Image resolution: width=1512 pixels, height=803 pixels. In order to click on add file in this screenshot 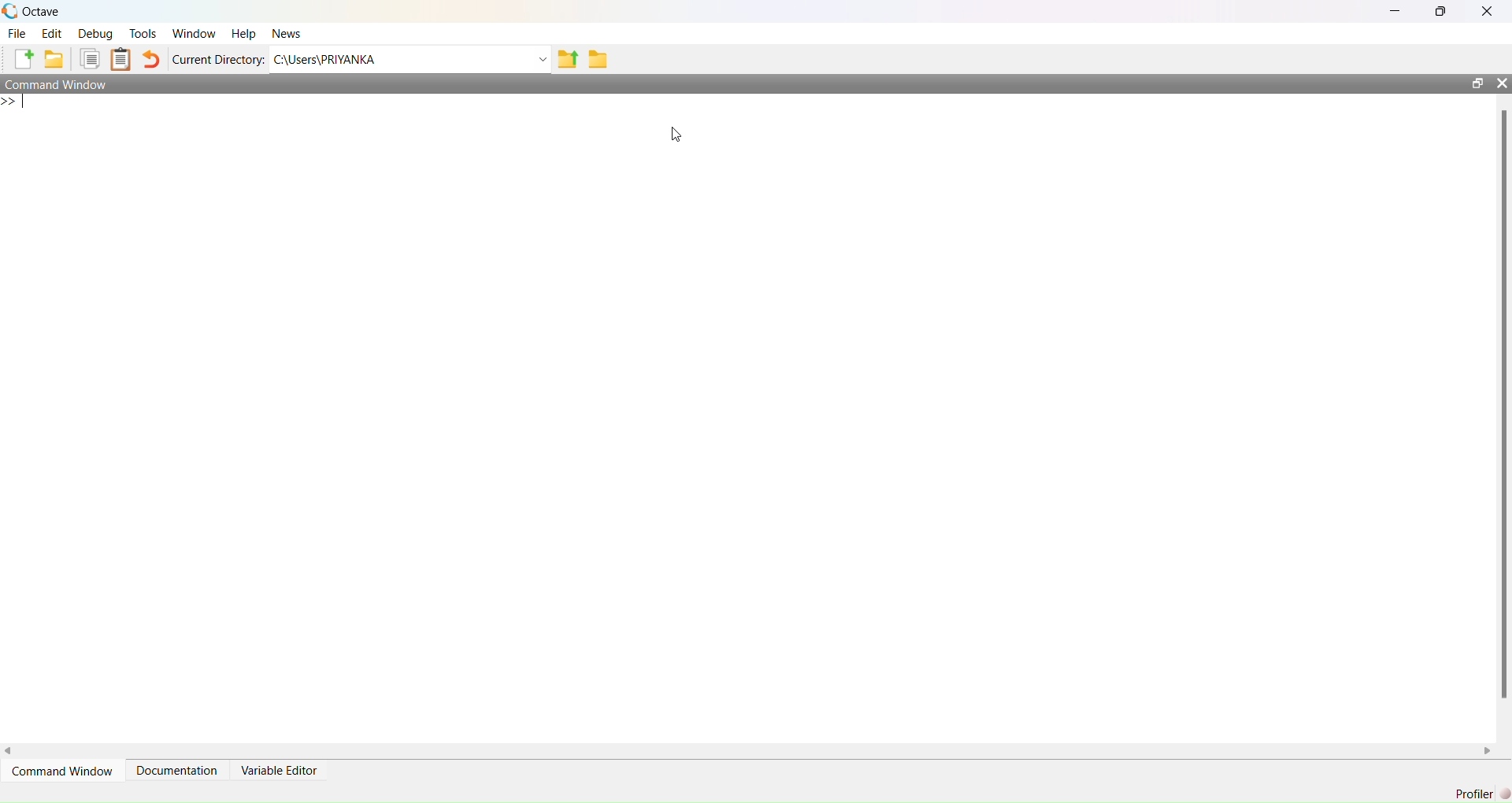, I will do `click(25, 59)`.